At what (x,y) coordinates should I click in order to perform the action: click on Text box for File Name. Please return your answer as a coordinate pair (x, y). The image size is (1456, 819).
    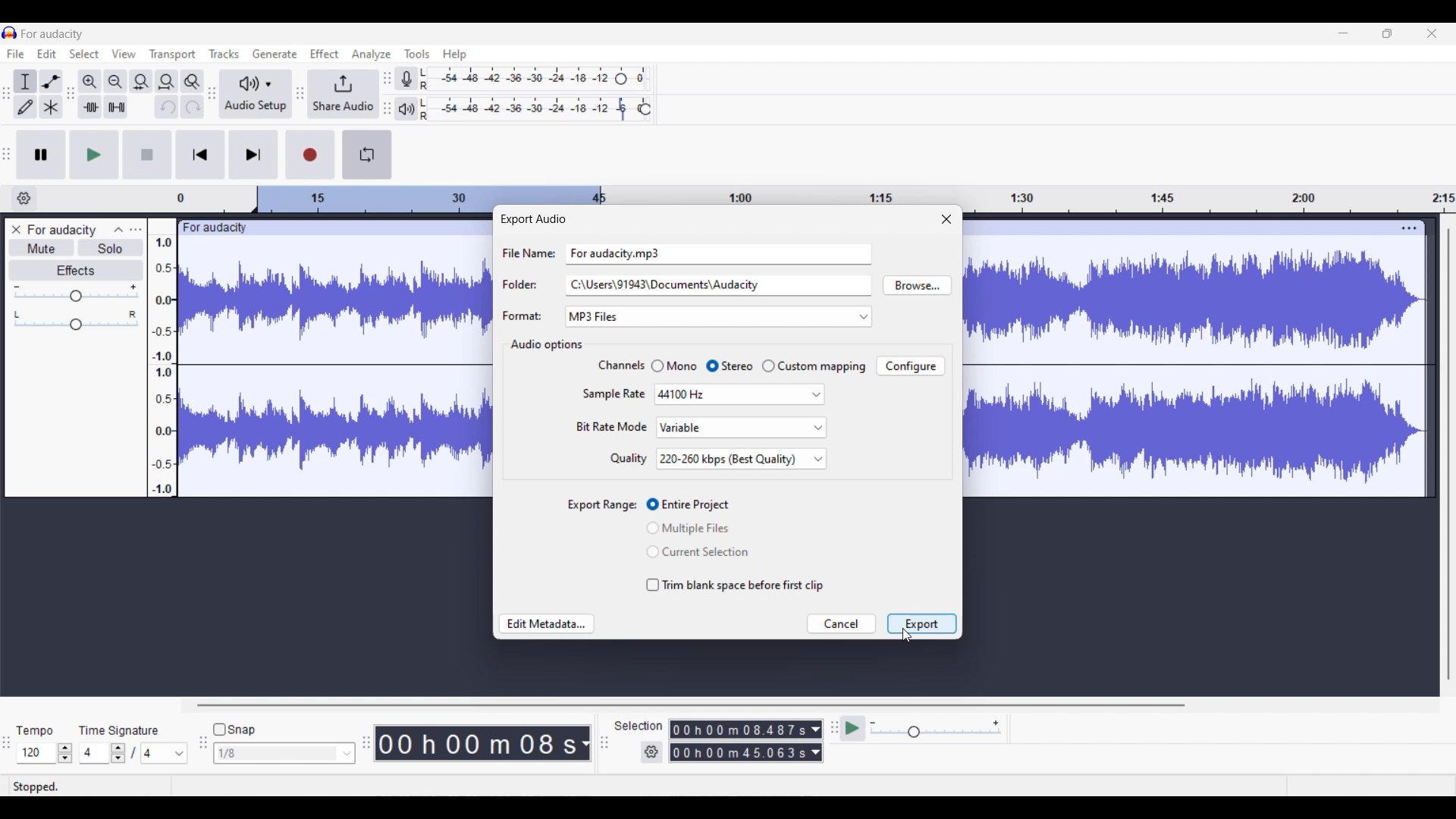
    Looking at the image, I should click on (719, 253).